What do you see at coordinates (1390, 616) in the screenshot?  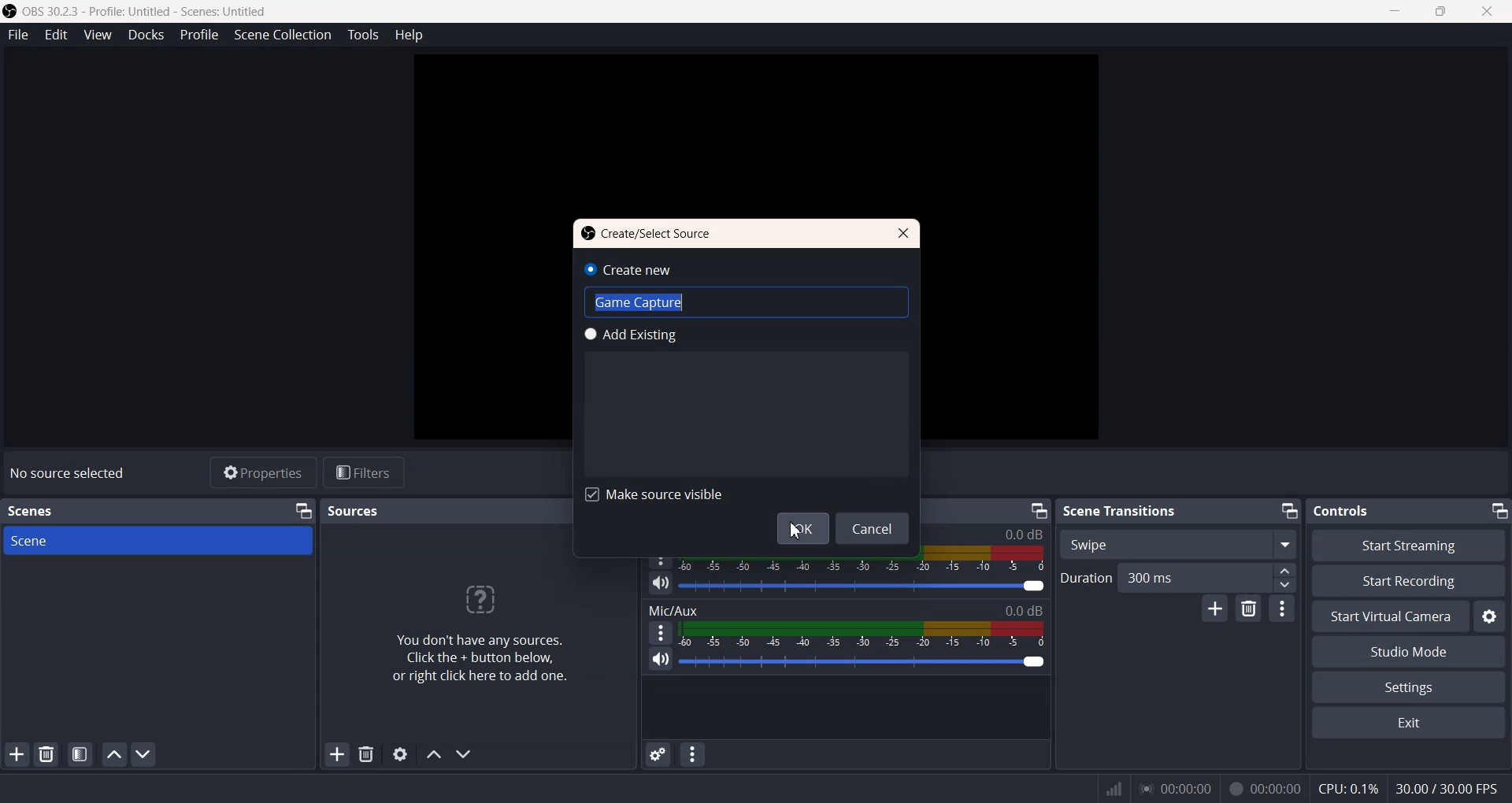 I see `Start Virtual Camera` at bounding box center [1390, 616].